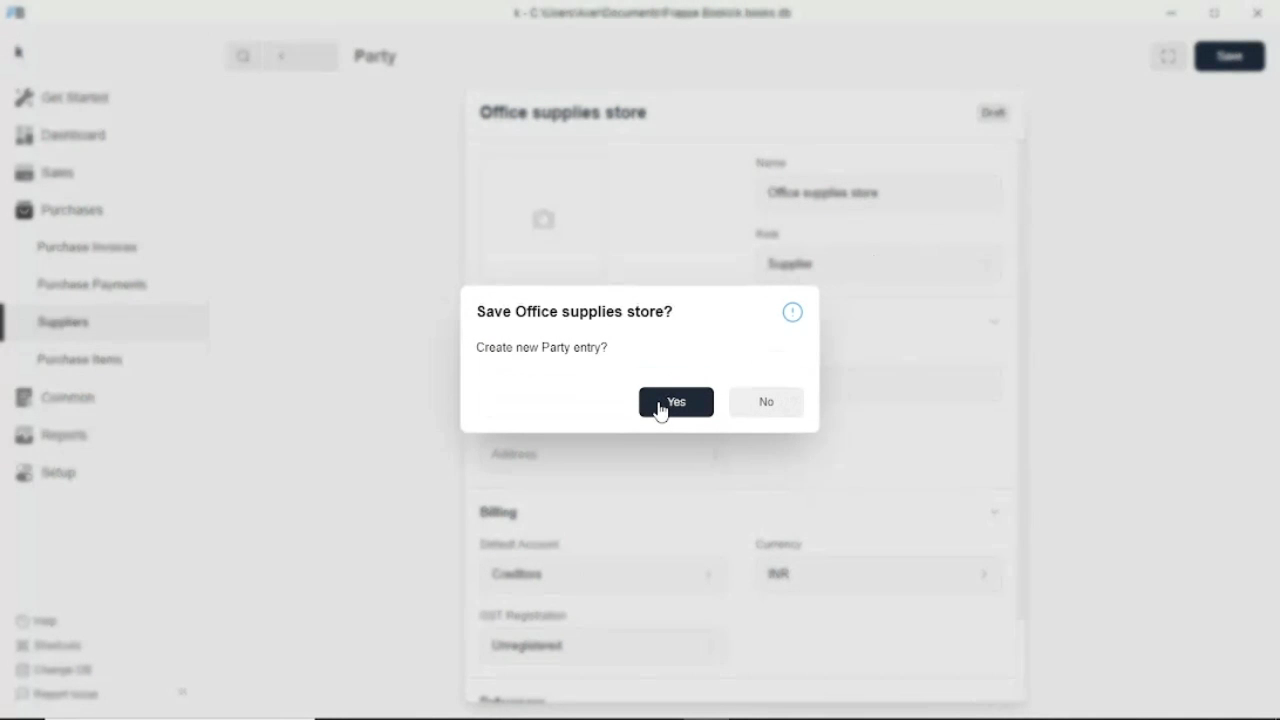  Describe the element at coordinates (48, 646) in the screenshot. I see `Shortcuts` at that location.